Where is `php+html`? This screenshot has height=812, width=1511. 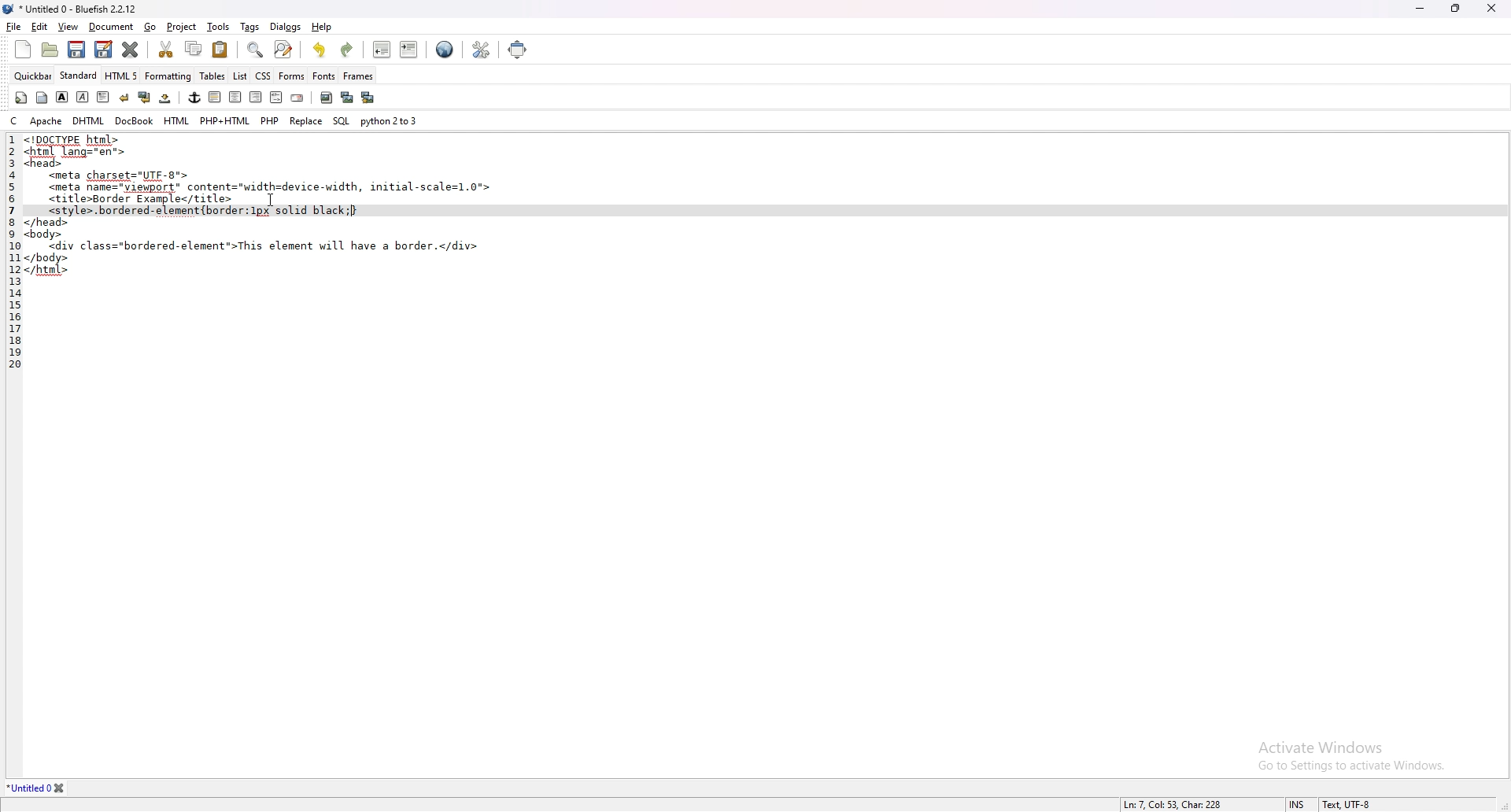
php+html is located at coordinates (225, 120).